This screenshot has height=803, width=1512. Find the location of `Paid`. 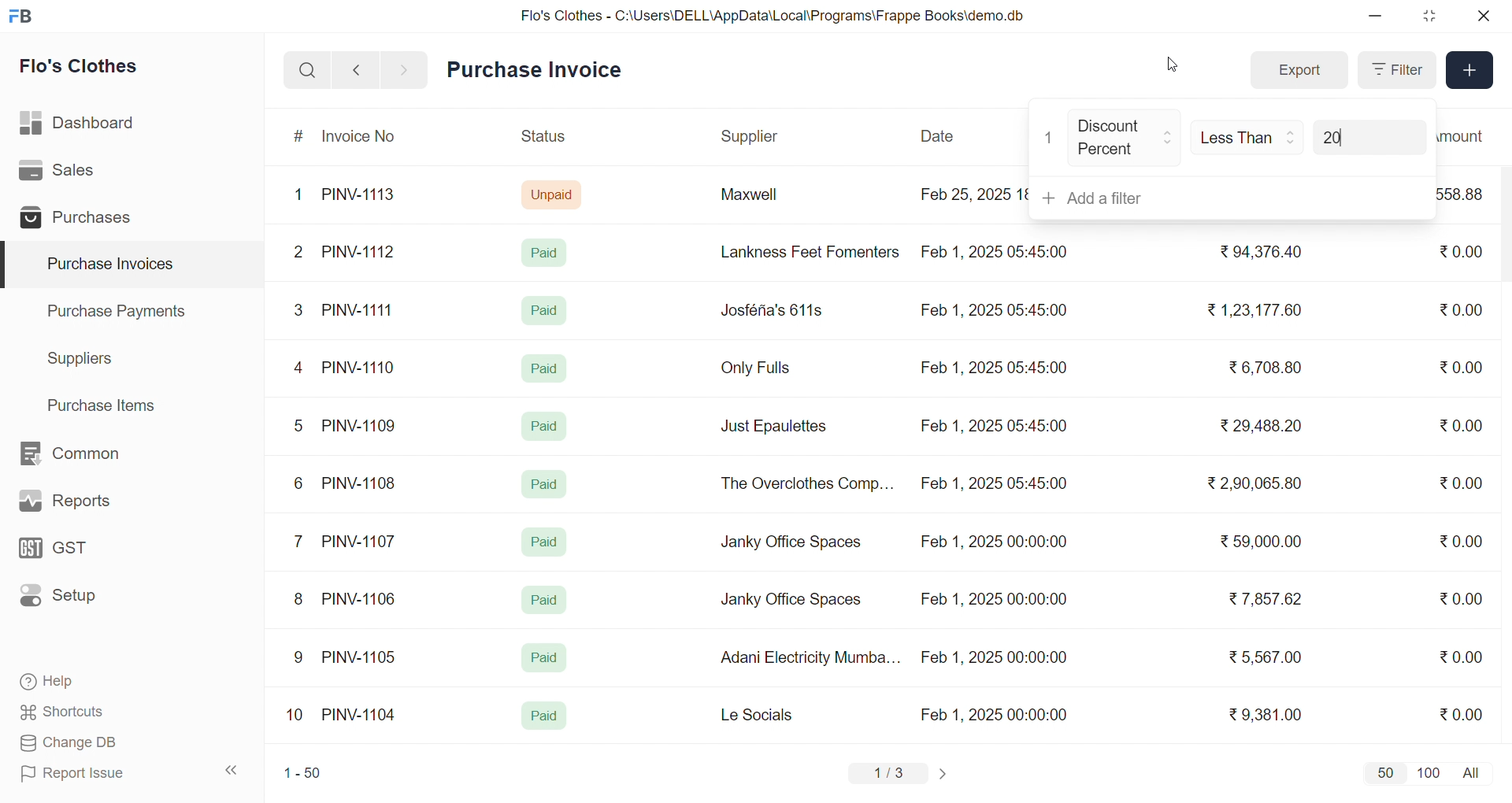

Paid is located at coordinates (548, 252).